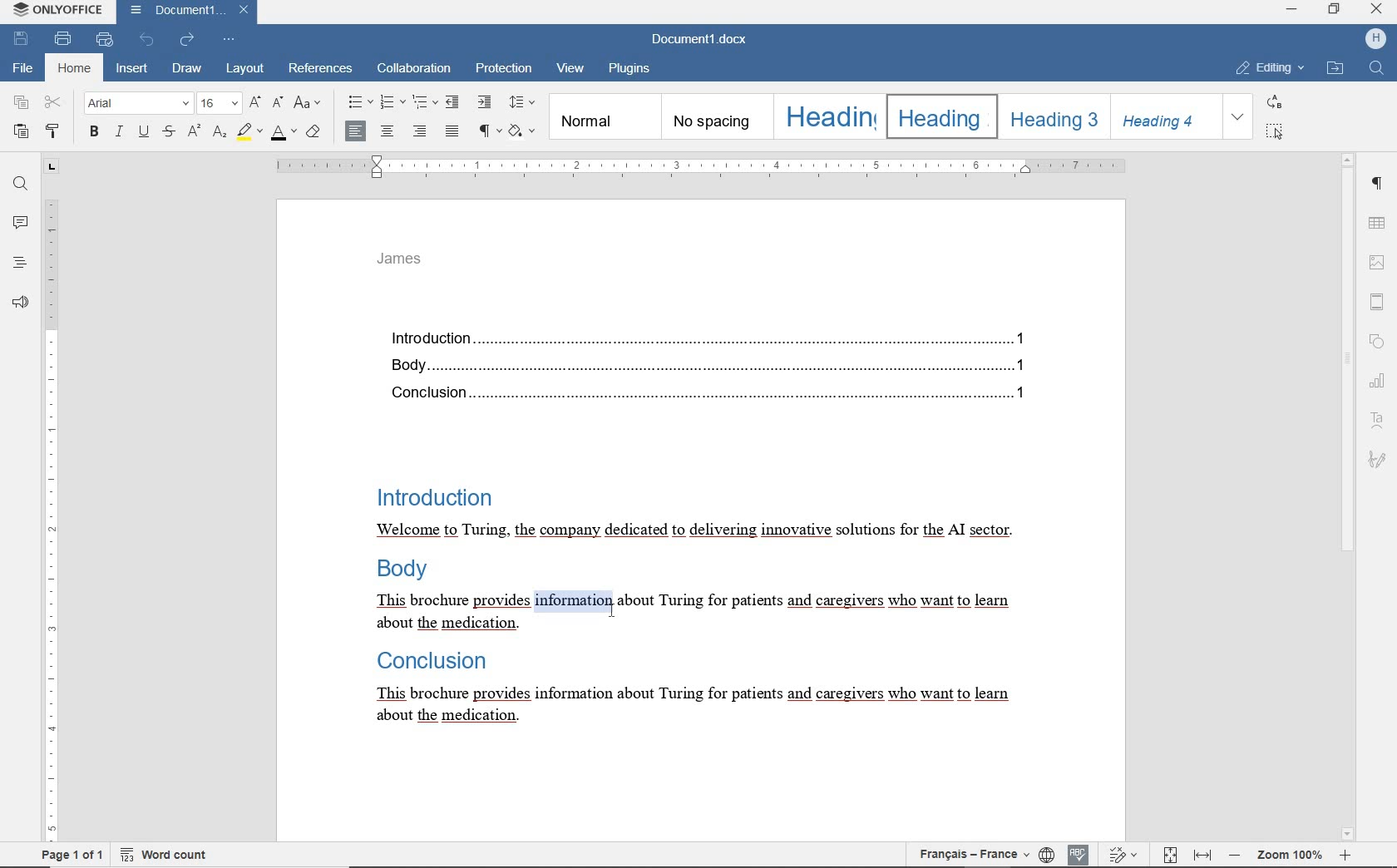 This screenshot has height=868, width=1397. I want to click on SELECT ALL, so click(1272, 131).